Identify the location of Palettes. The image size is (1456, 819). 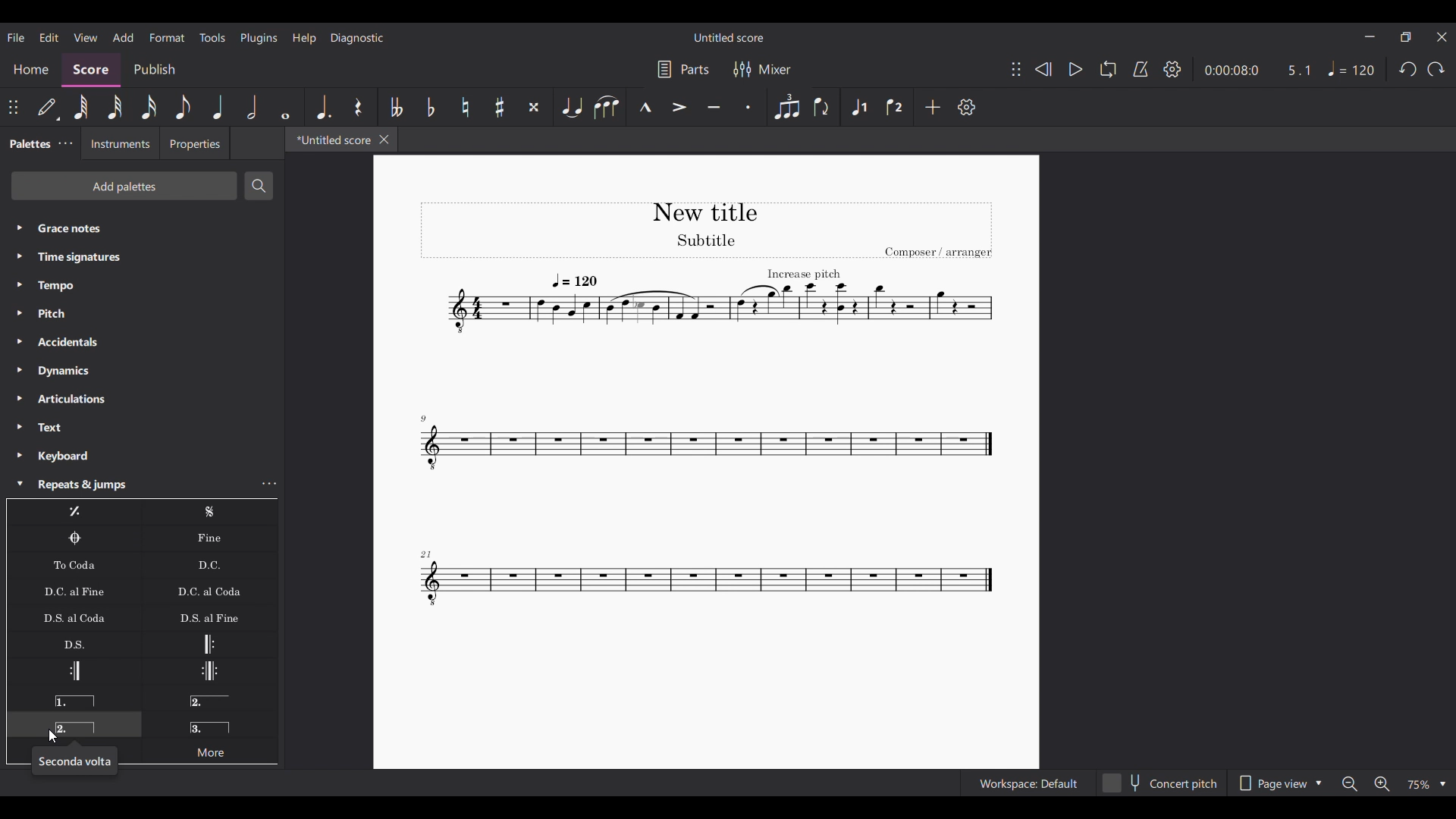
(28, 144).